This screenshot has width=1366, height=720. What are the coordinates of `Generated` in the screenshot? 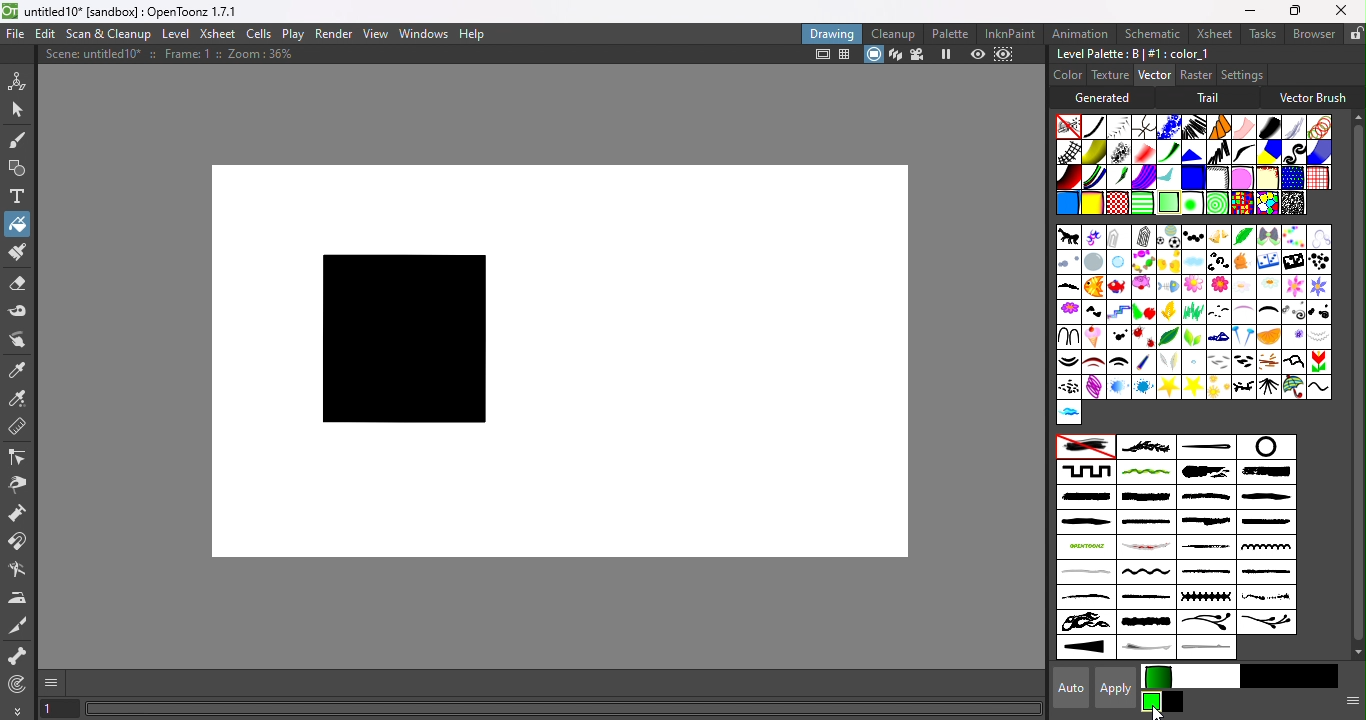 It's located at (1107, 97).